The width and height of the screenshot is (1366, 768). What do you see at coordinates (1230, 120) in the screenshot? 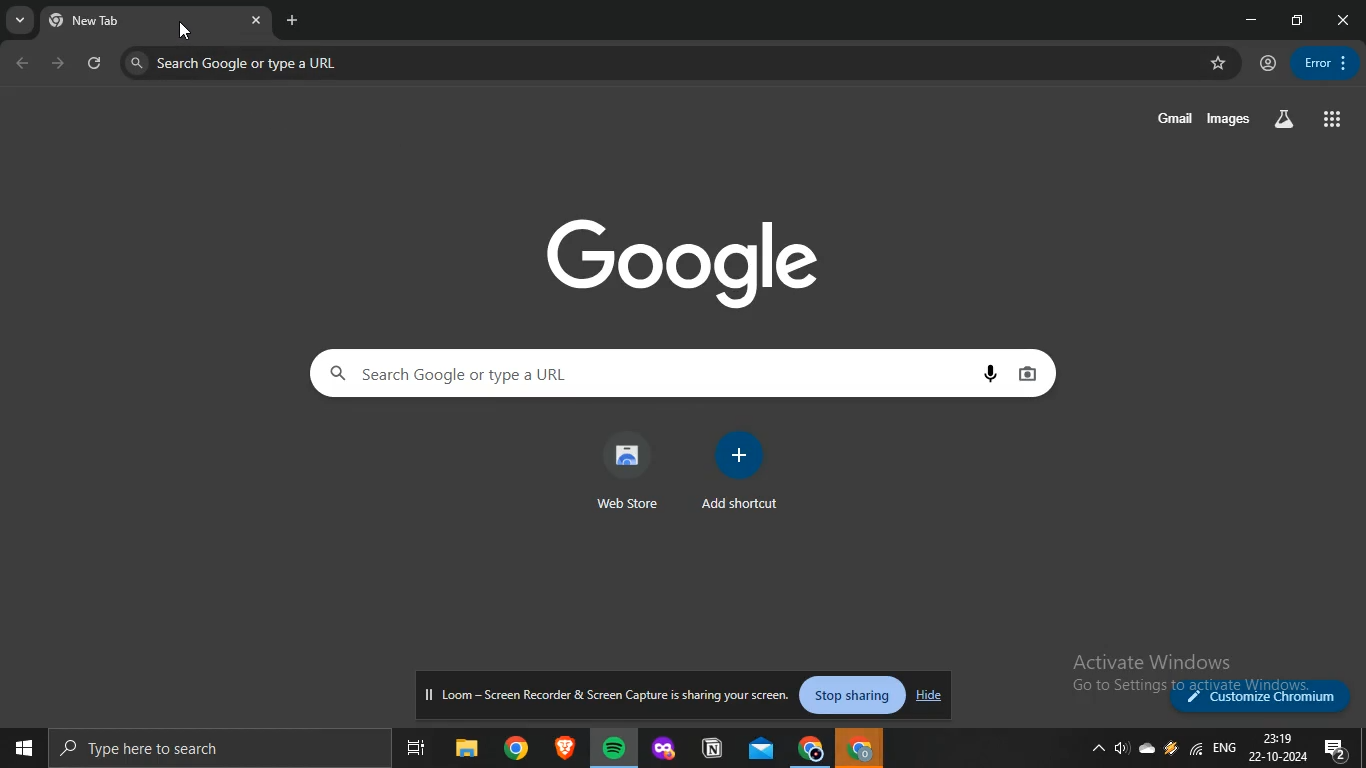
I see `images` at bounding box center [1230, 120].